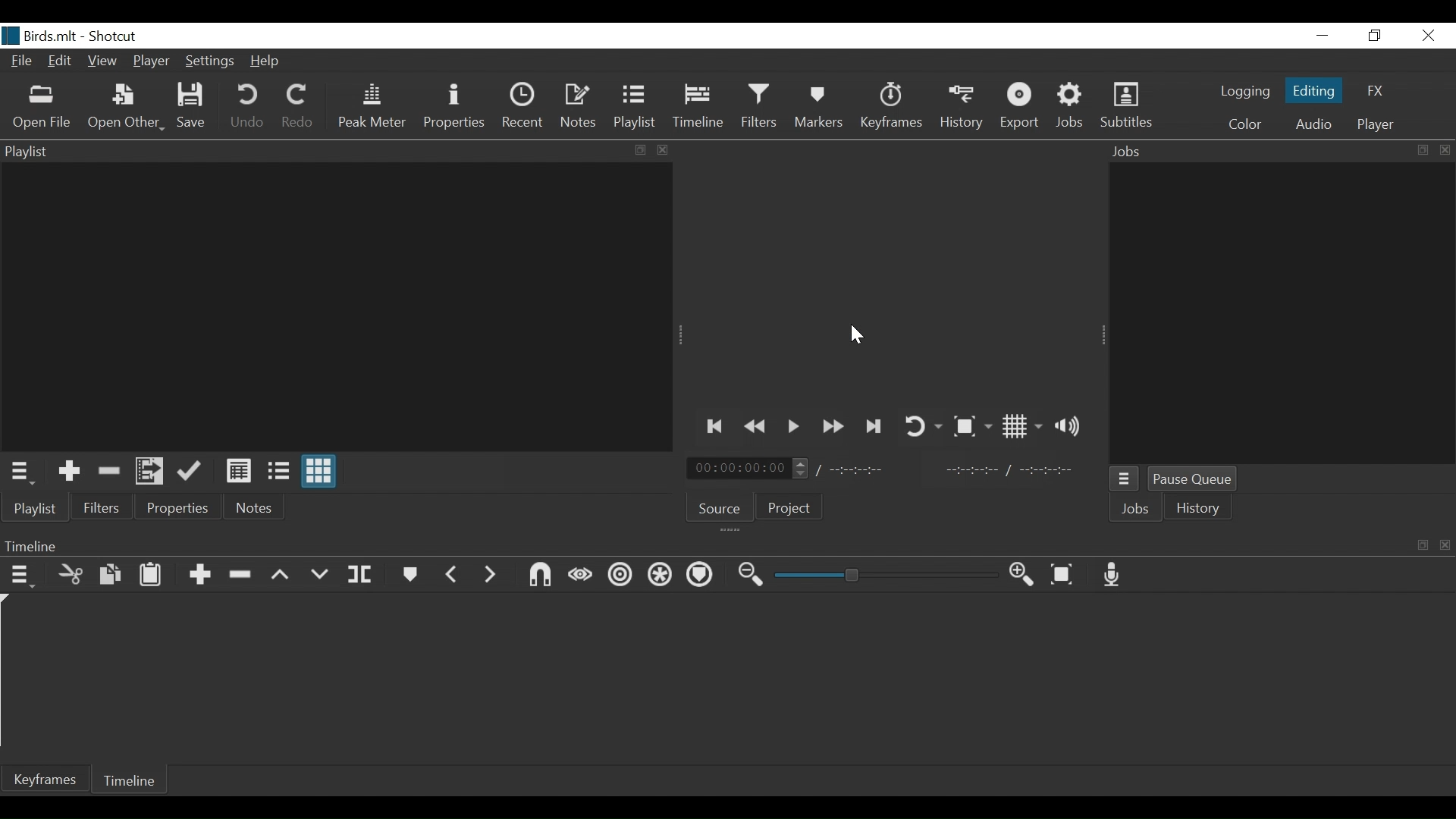 Image resolution: width=1456 pixels, height=819 pixels. What do you see at coordinates (1138, 510) in the screenshot?
I see `Jobs` at bounding box center [1138, 510].